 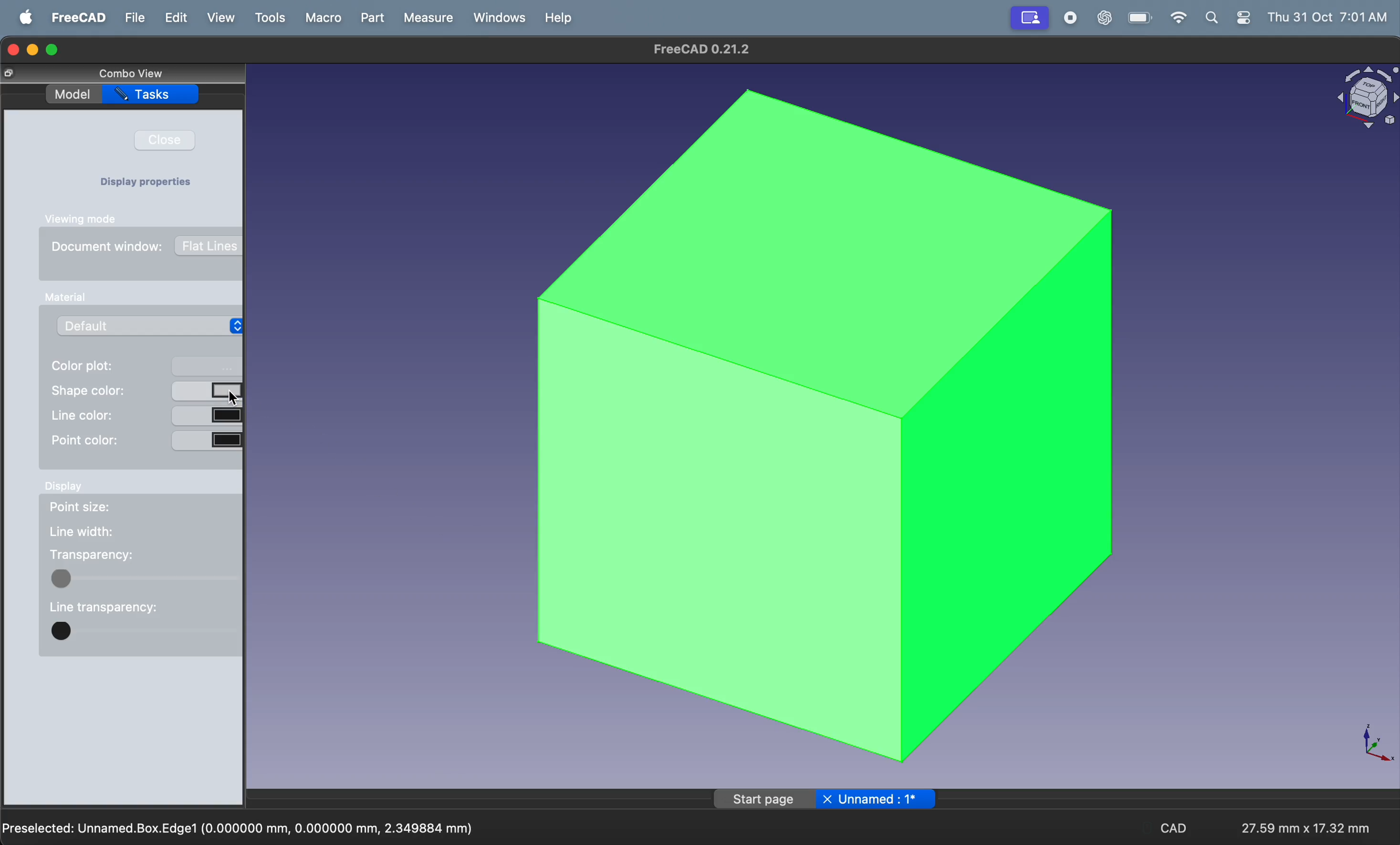 I want to click on aspect ratio, so click(x=1301, y=823).